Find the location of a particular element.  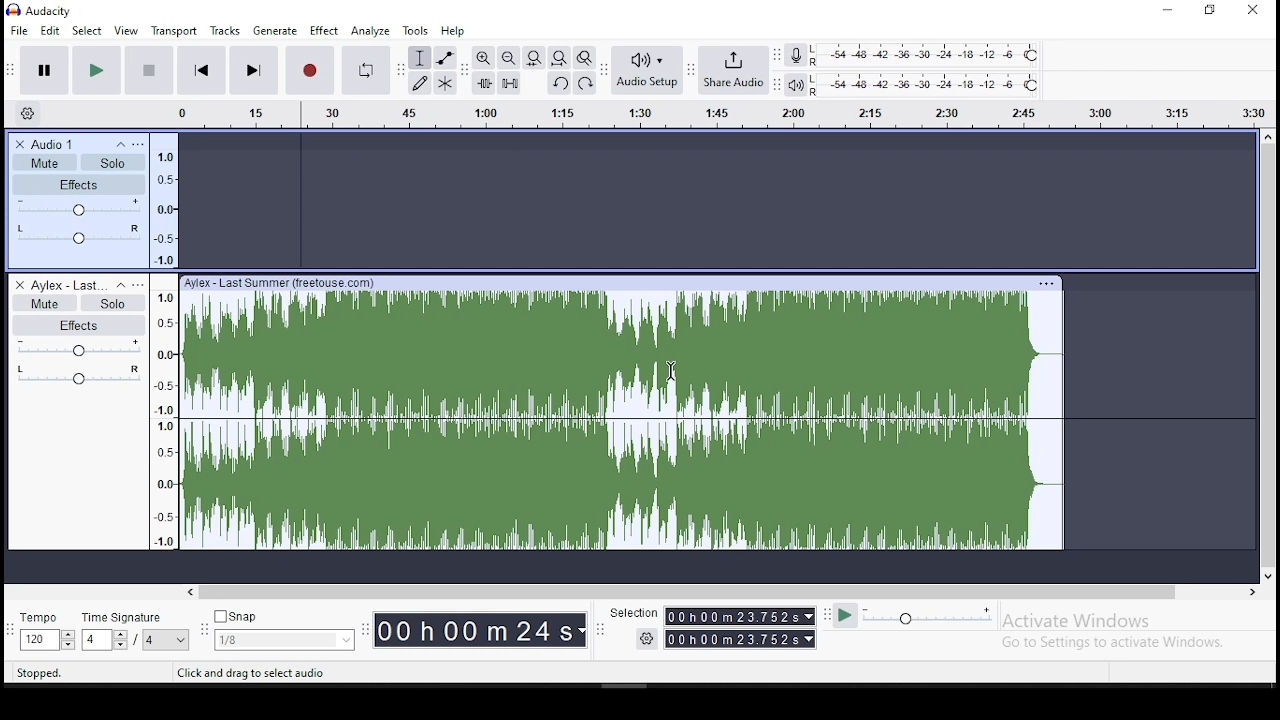

audio setup is located at coordinates (647, 69).